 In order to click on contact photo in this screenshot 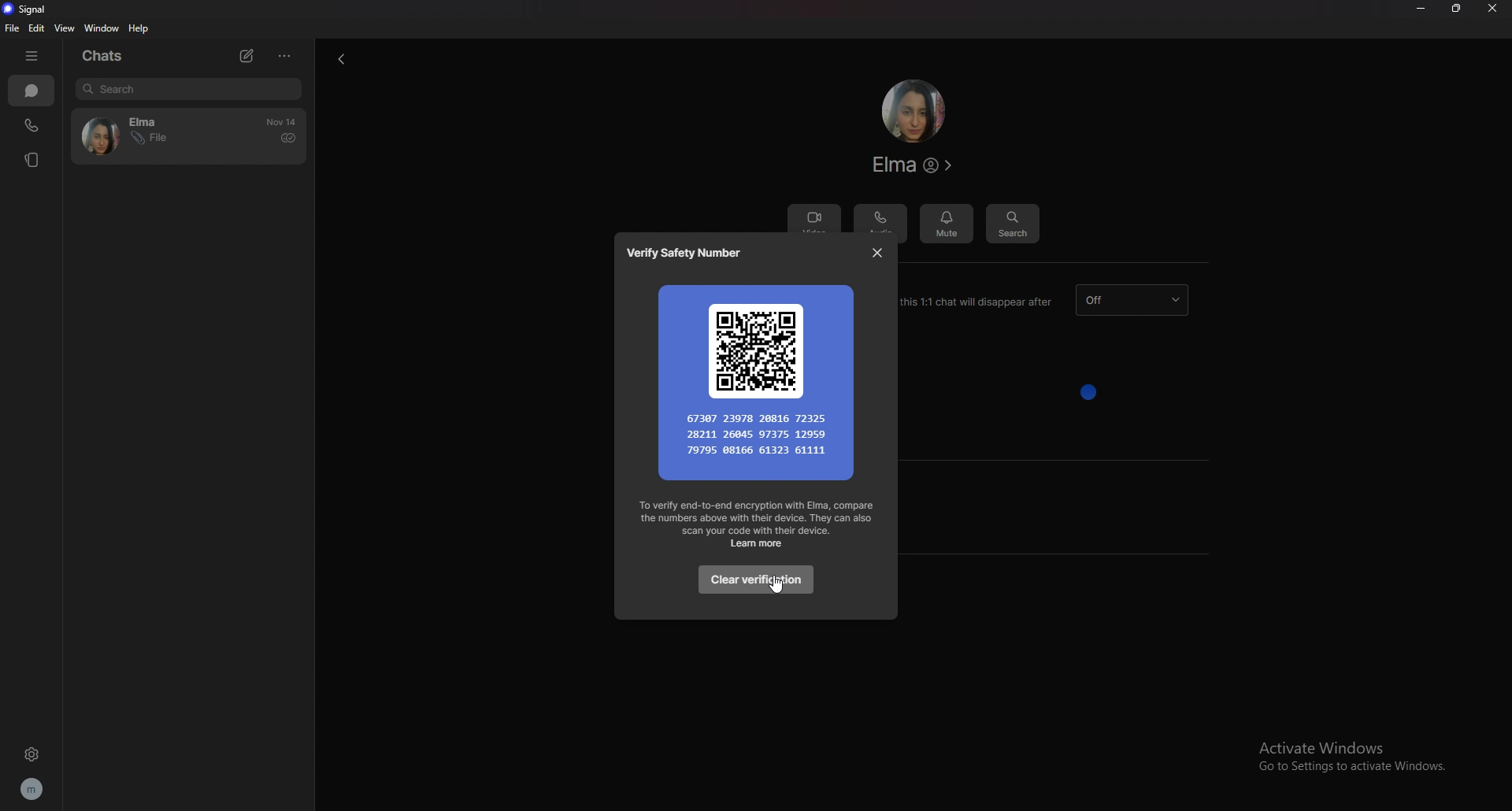, I will do `click(913, 111)`.